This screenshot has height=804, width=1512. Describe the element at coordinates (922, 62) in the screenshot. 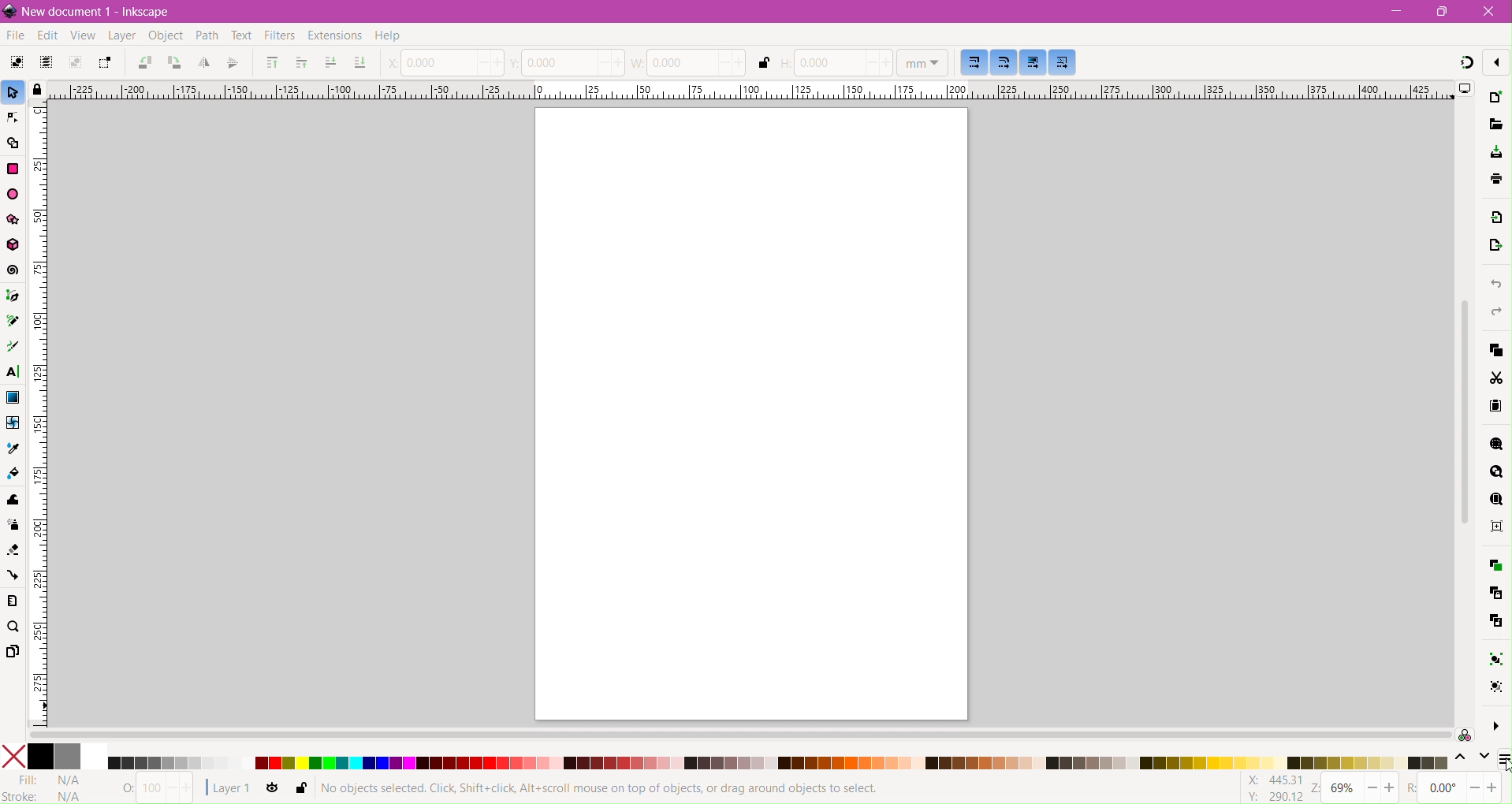

I see `Set Ruler dimension` at that location.